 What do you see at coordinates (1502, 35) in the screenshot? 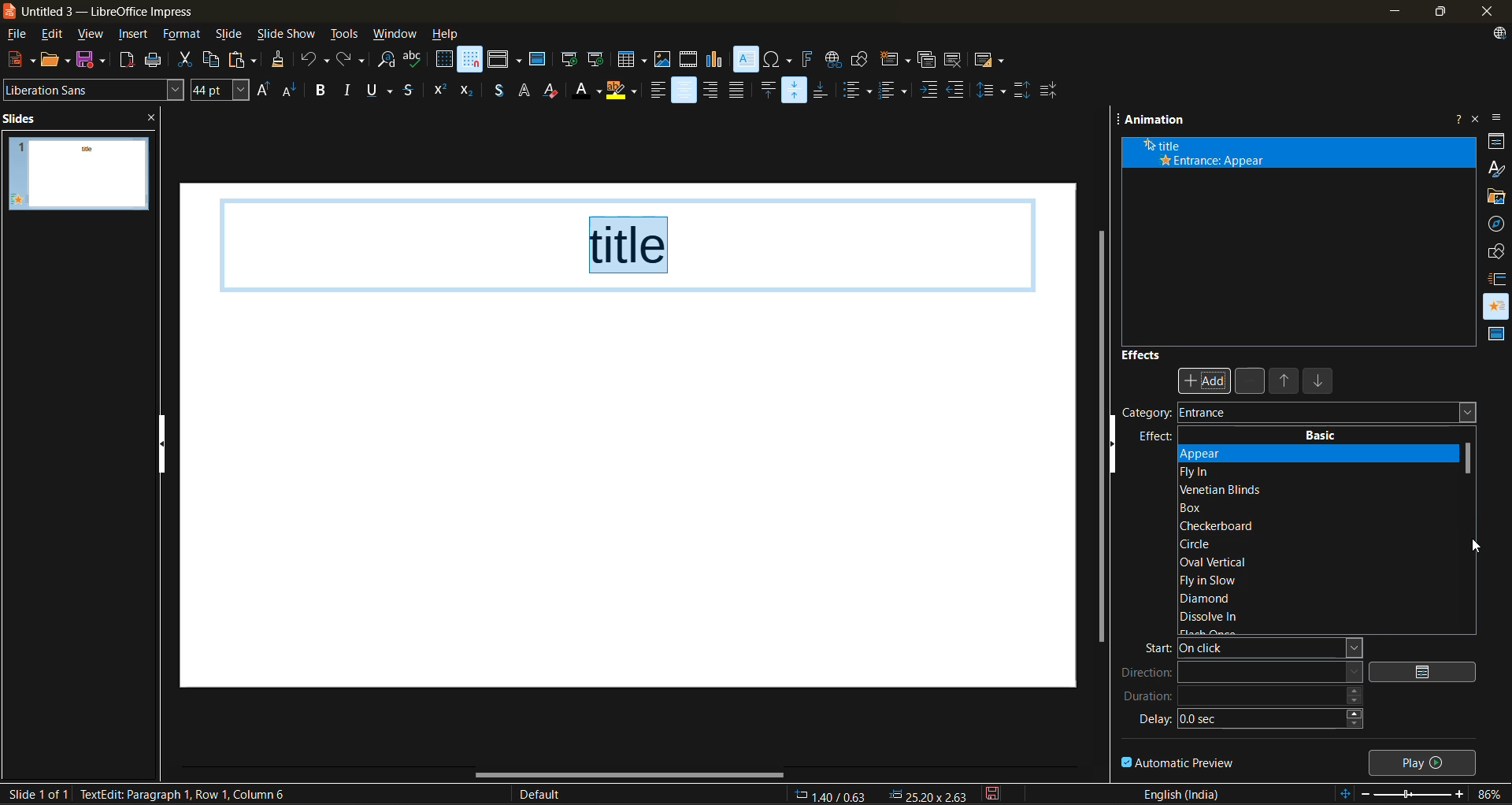
I see `update` at bounding box center [1502, 35].